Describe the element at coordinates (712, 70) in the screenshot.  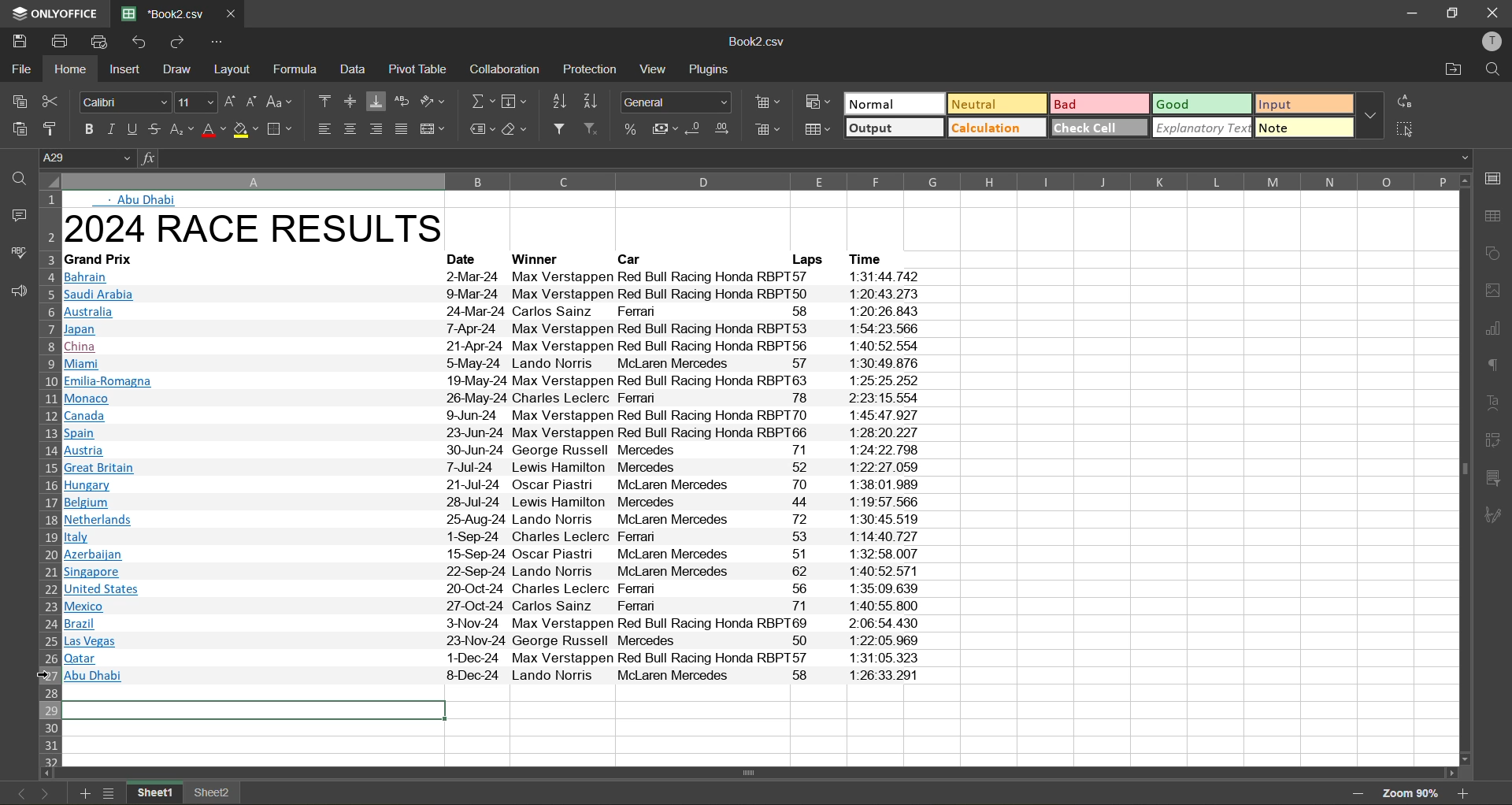
I see `plugins` at that location.